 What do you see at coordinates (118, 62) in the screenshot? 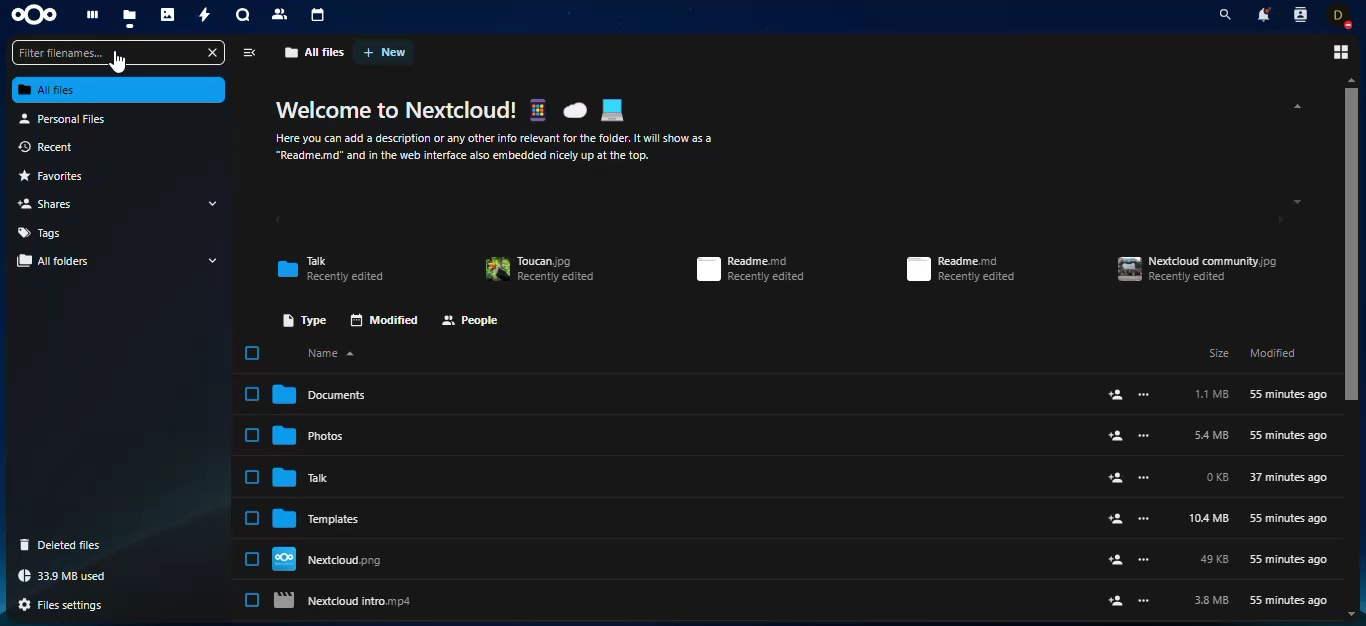
I see `Cursor` at bounding box center [118, 62].